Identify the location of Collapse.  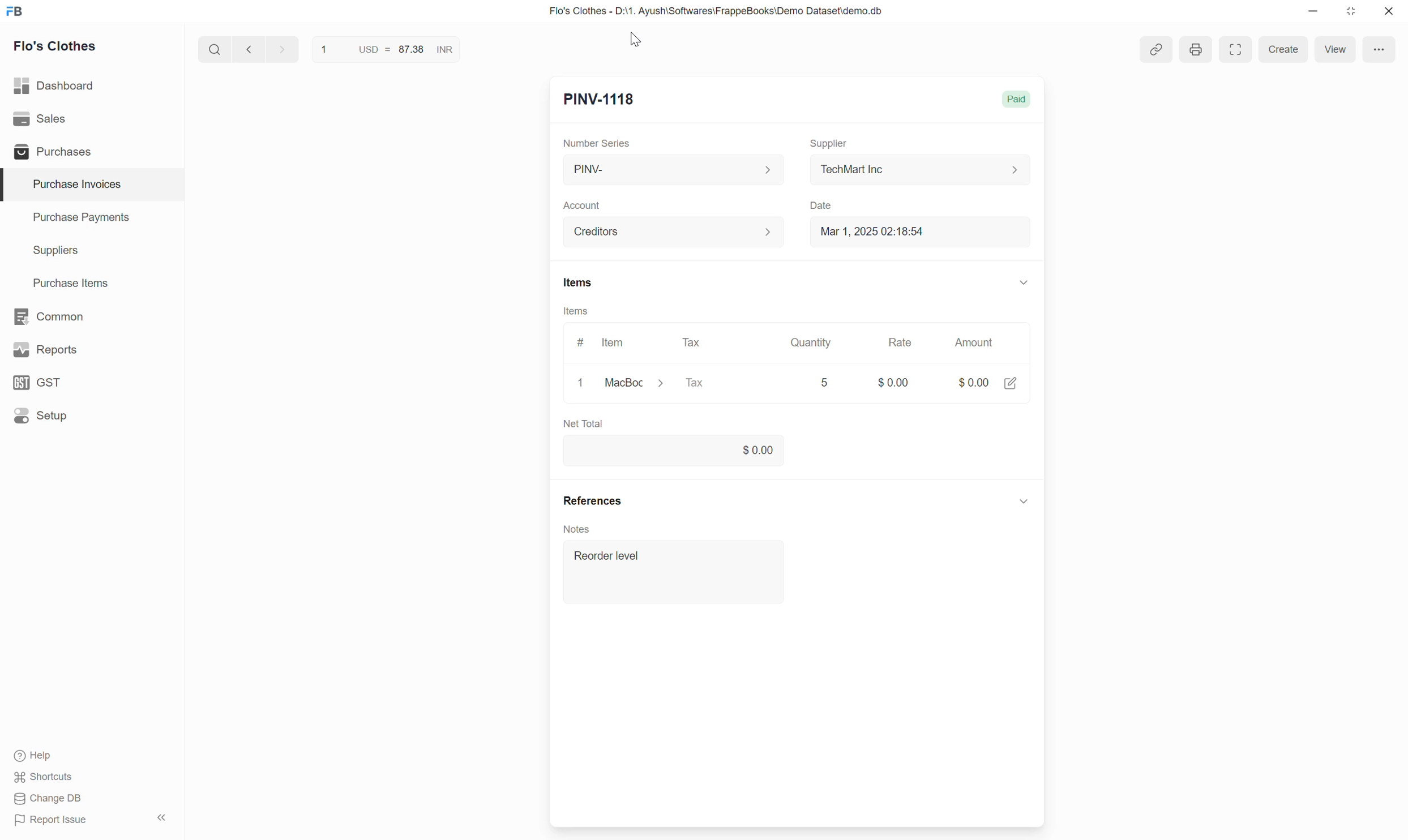
(1023, 500).